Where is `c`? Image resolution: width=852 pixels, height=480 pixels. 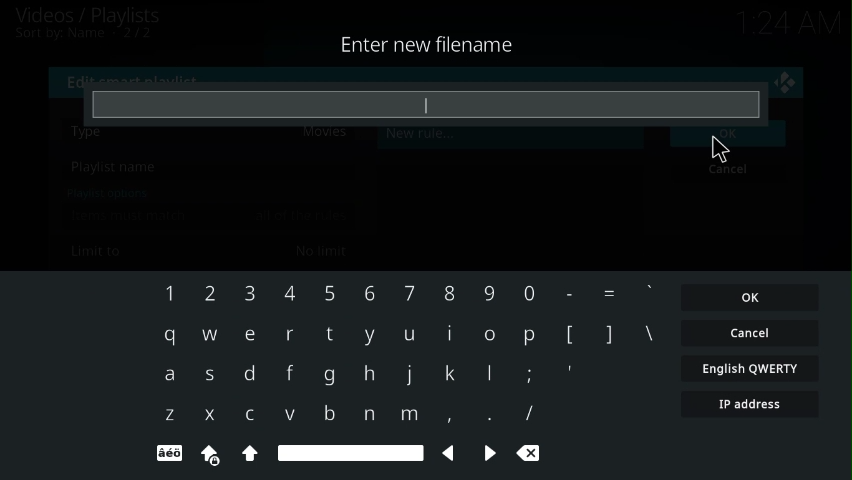
c is located at coordinates (248, 414).